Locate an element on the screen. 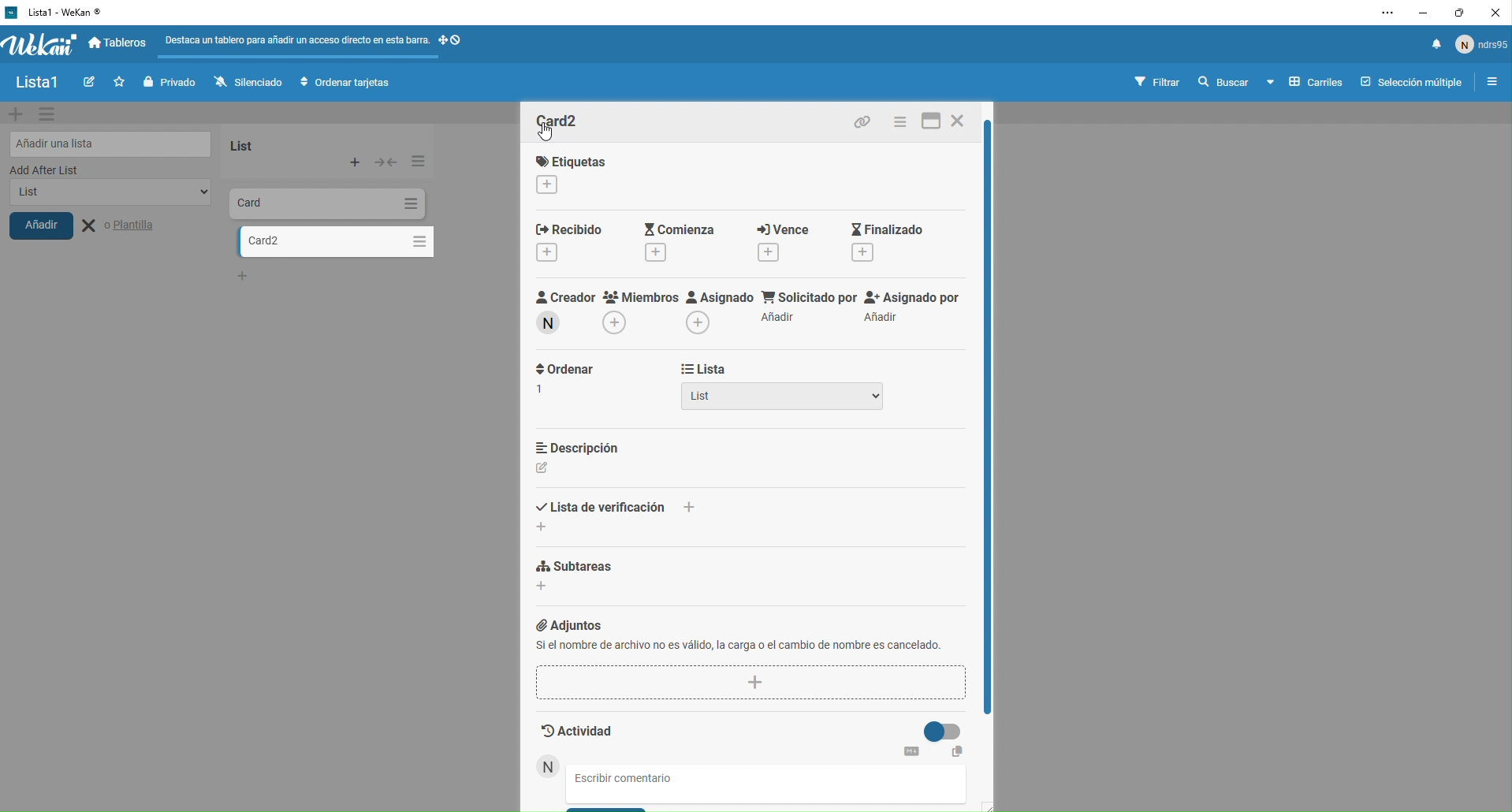 The width and height of the screenshot is (1512, 812). asignado is located at coordinates (717, 313).